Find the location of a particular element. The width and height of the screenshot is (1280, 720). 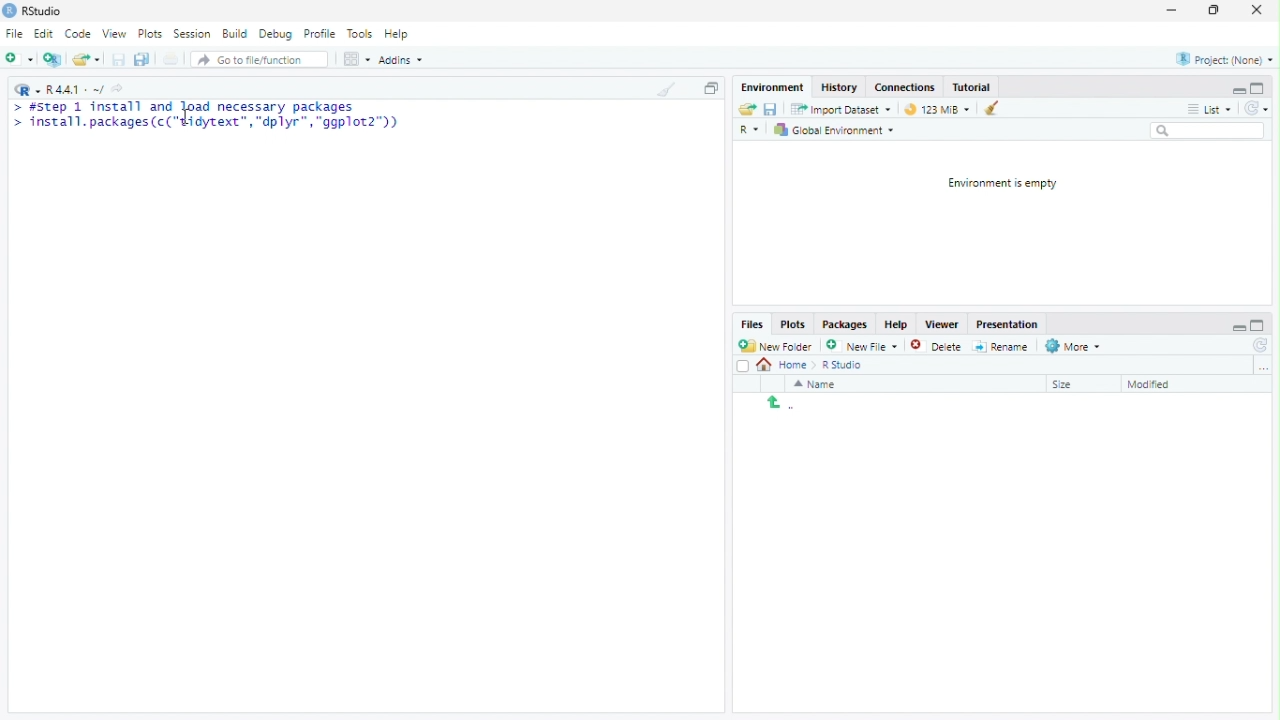

View is located at coordinates (114, 34).